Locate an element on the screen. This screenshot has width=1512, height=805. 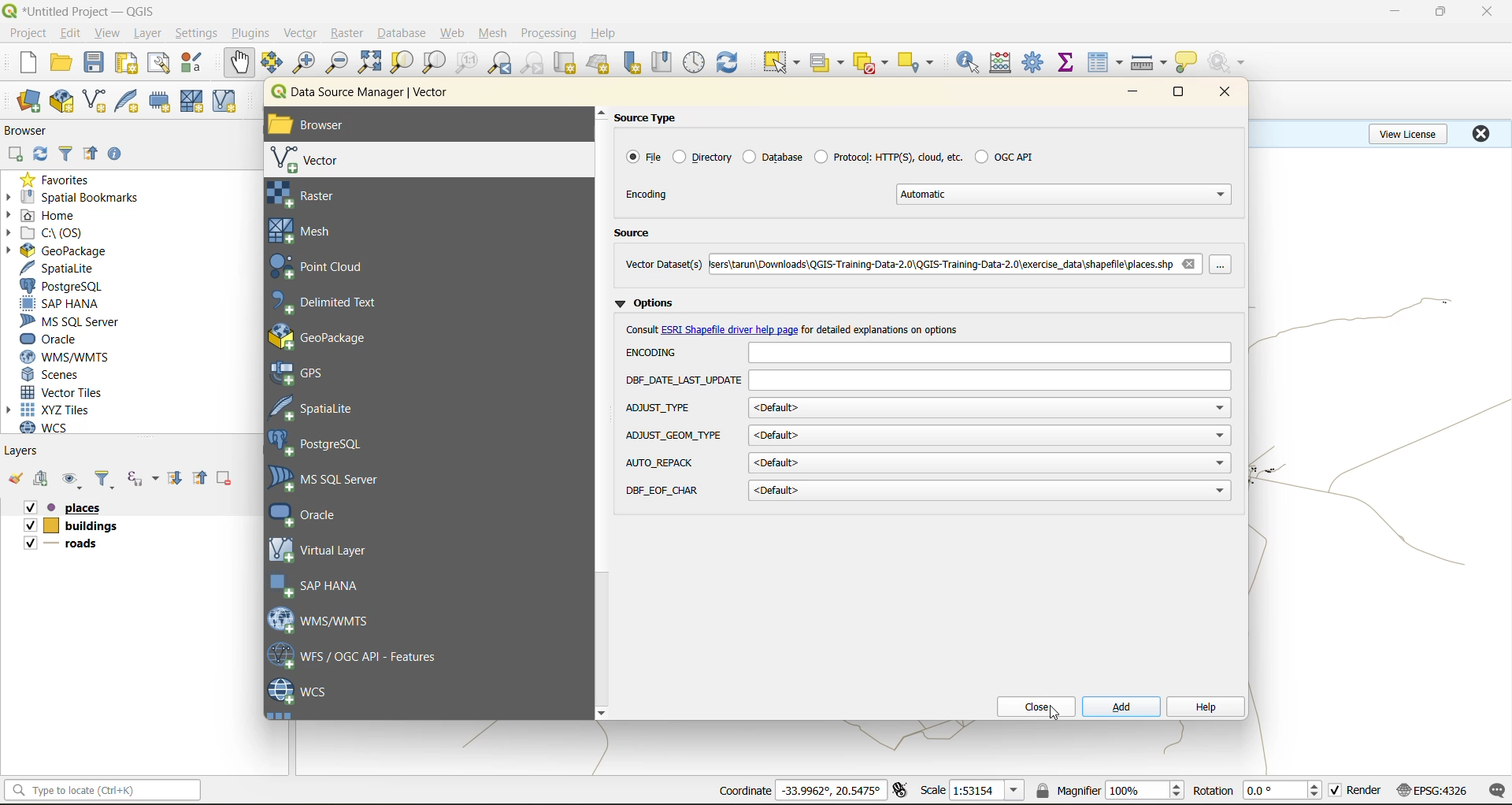
statistical summary is located at coordinates (1069, 63).